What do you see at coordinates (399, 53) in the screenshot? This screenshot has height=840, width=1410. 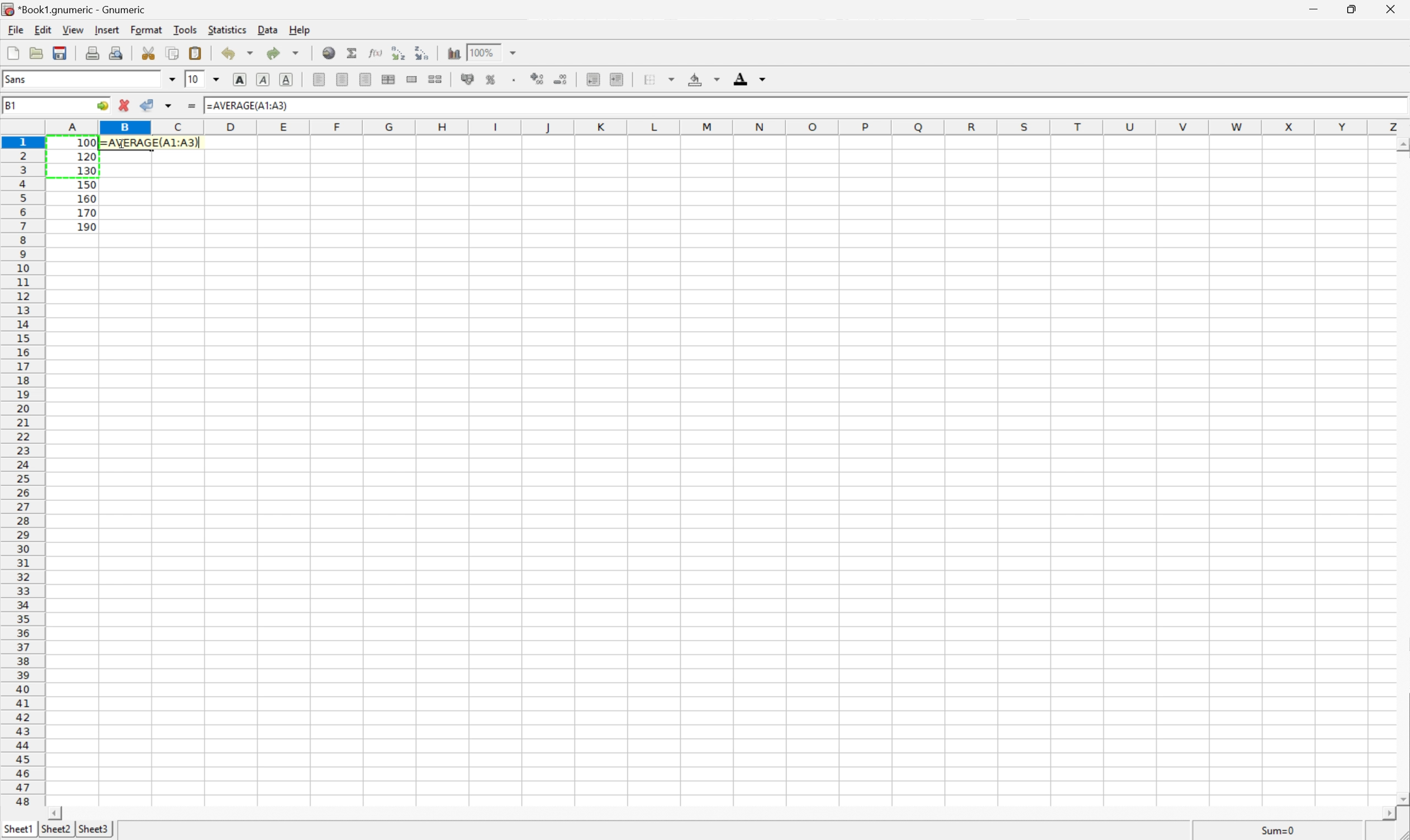 I see `Sort the selected region in ascending order based on the first column selected` at bounding box center [399, 53].